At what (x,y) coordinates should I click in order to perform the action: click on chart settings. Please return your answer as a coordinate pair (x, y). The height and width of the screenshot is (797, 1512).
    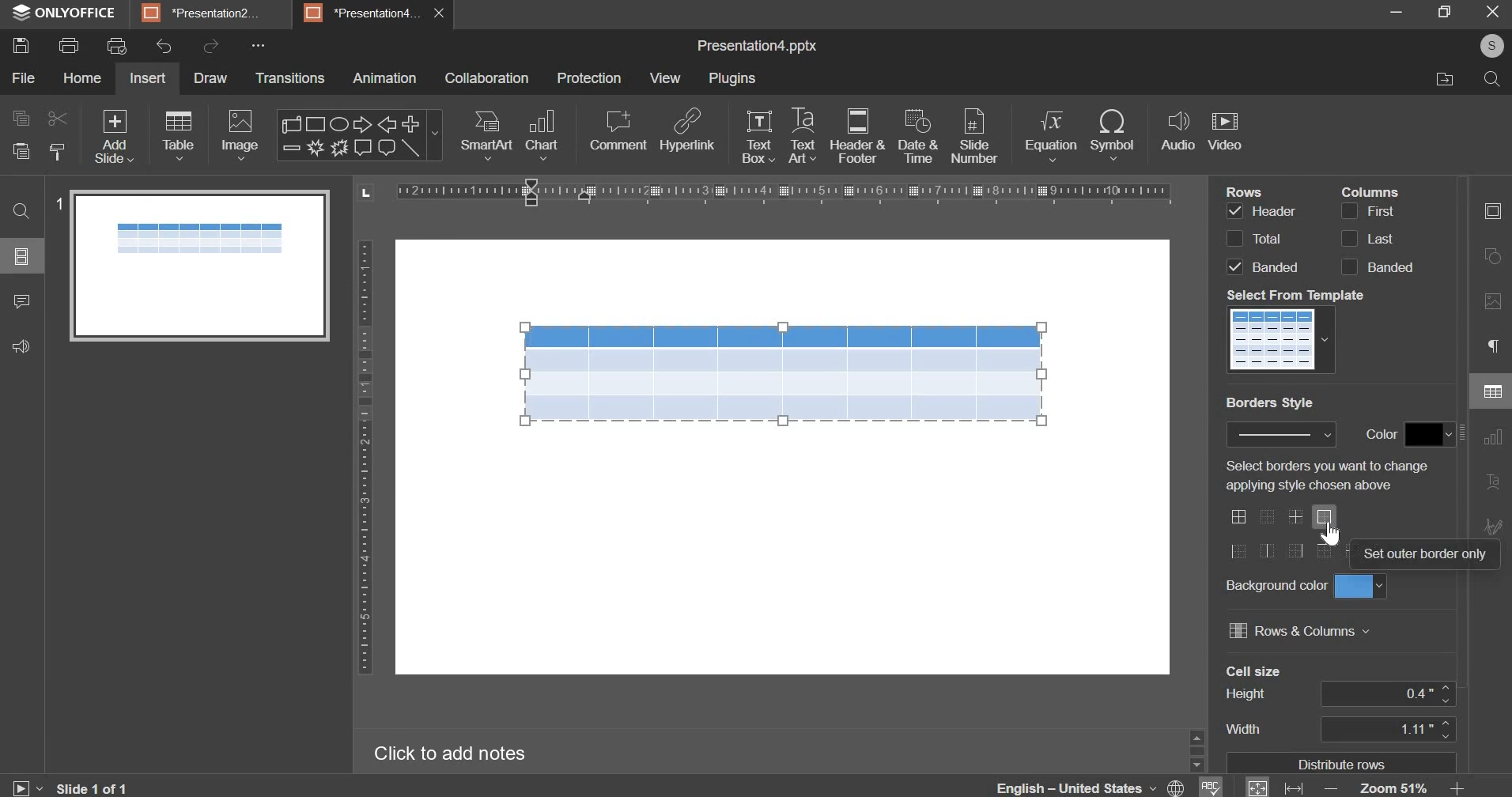
    Looking at the image, I should click on (1496, 439).